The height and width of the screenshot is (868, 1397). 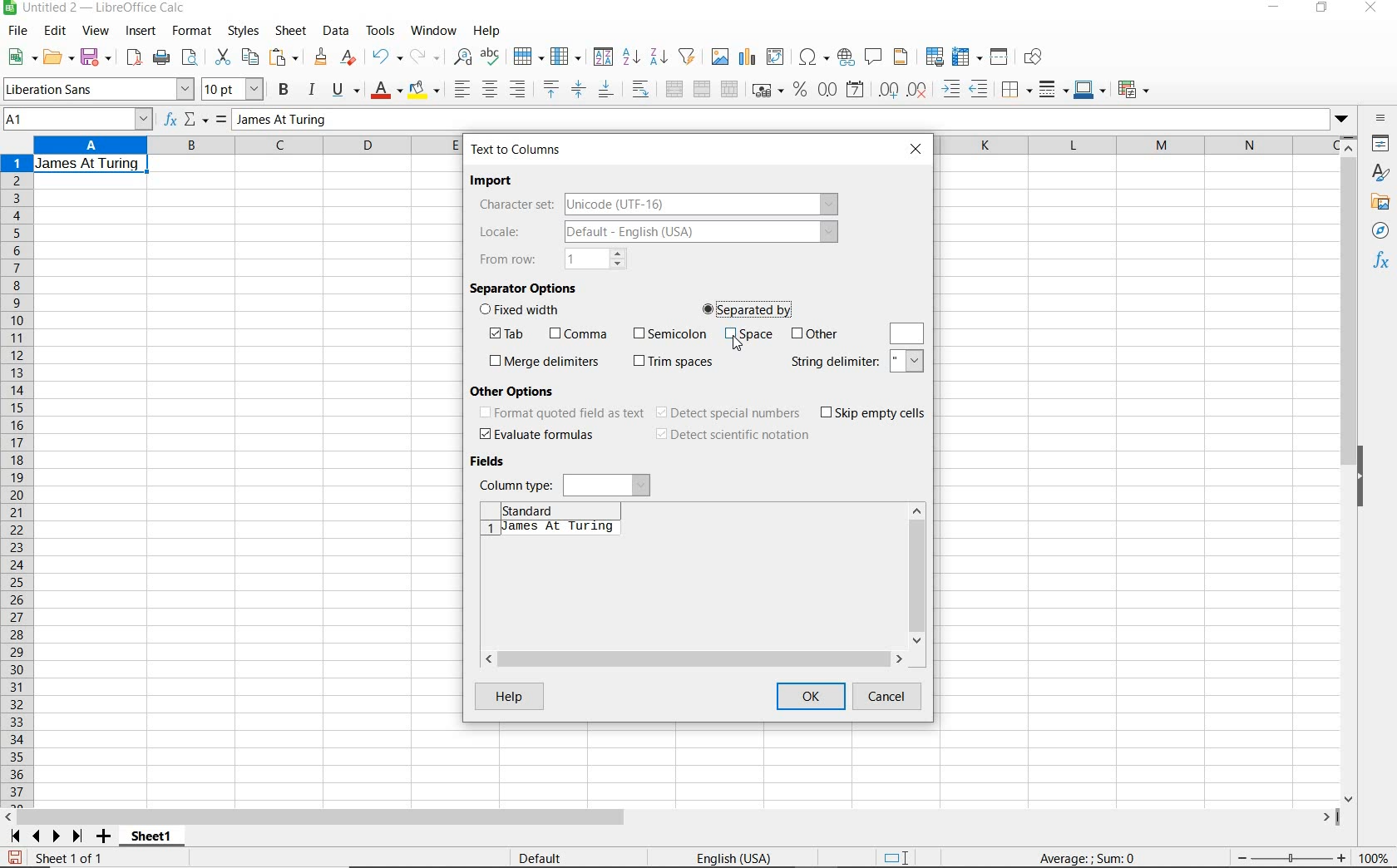 What do you see at coordinates (518, 91) in the screenshot?
I see `align right` at bounding box center [518, 91].